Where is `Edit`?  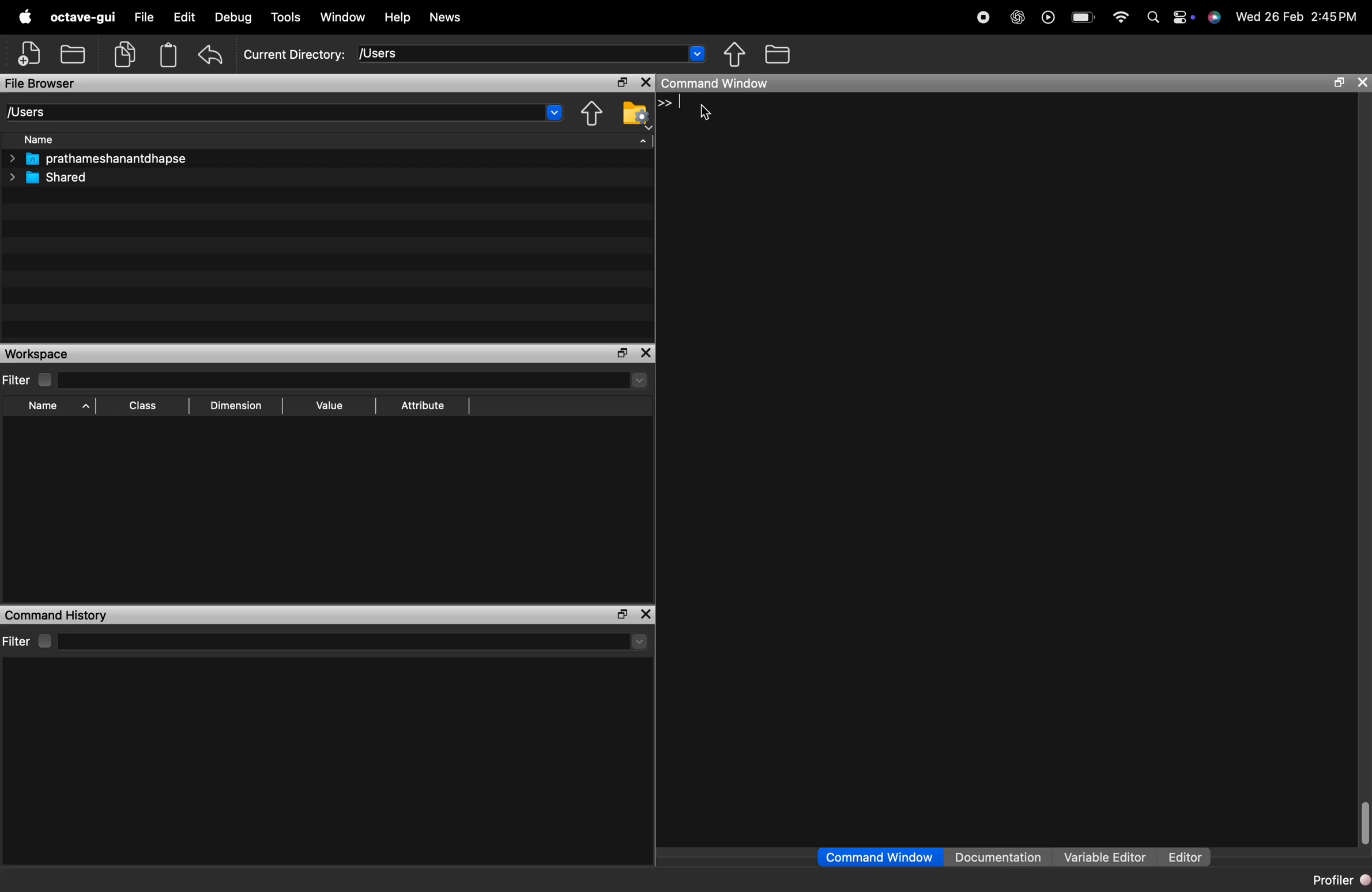
Edit is located at coordinates (184, 17).